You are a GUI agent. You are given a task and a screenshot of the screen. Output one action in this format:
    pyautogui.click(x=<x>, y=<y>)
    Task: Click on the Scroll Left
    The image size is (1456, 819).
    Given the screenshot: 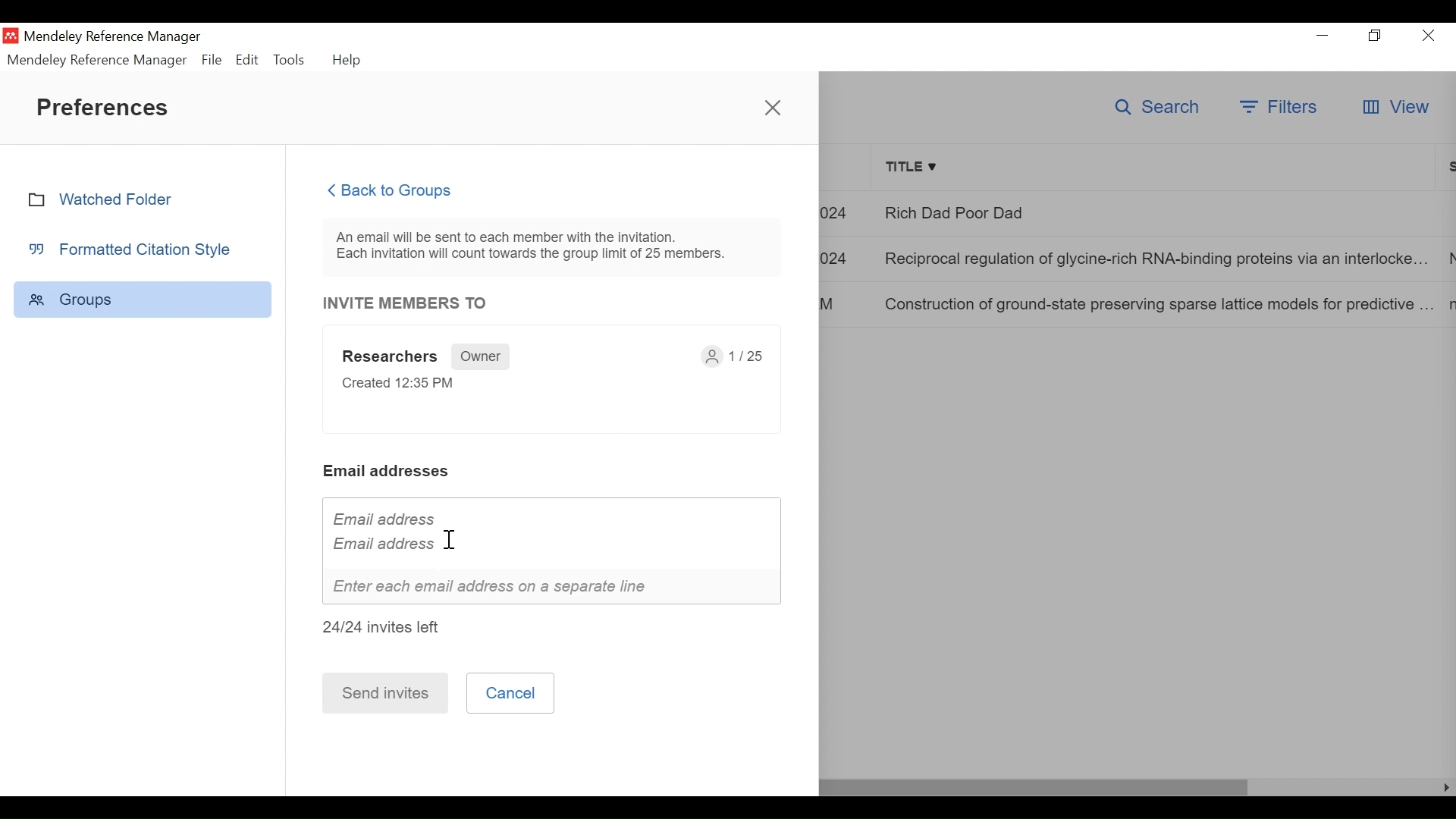 What is the action you would take?
    pyautogui.click(x=1447, y=788)
    